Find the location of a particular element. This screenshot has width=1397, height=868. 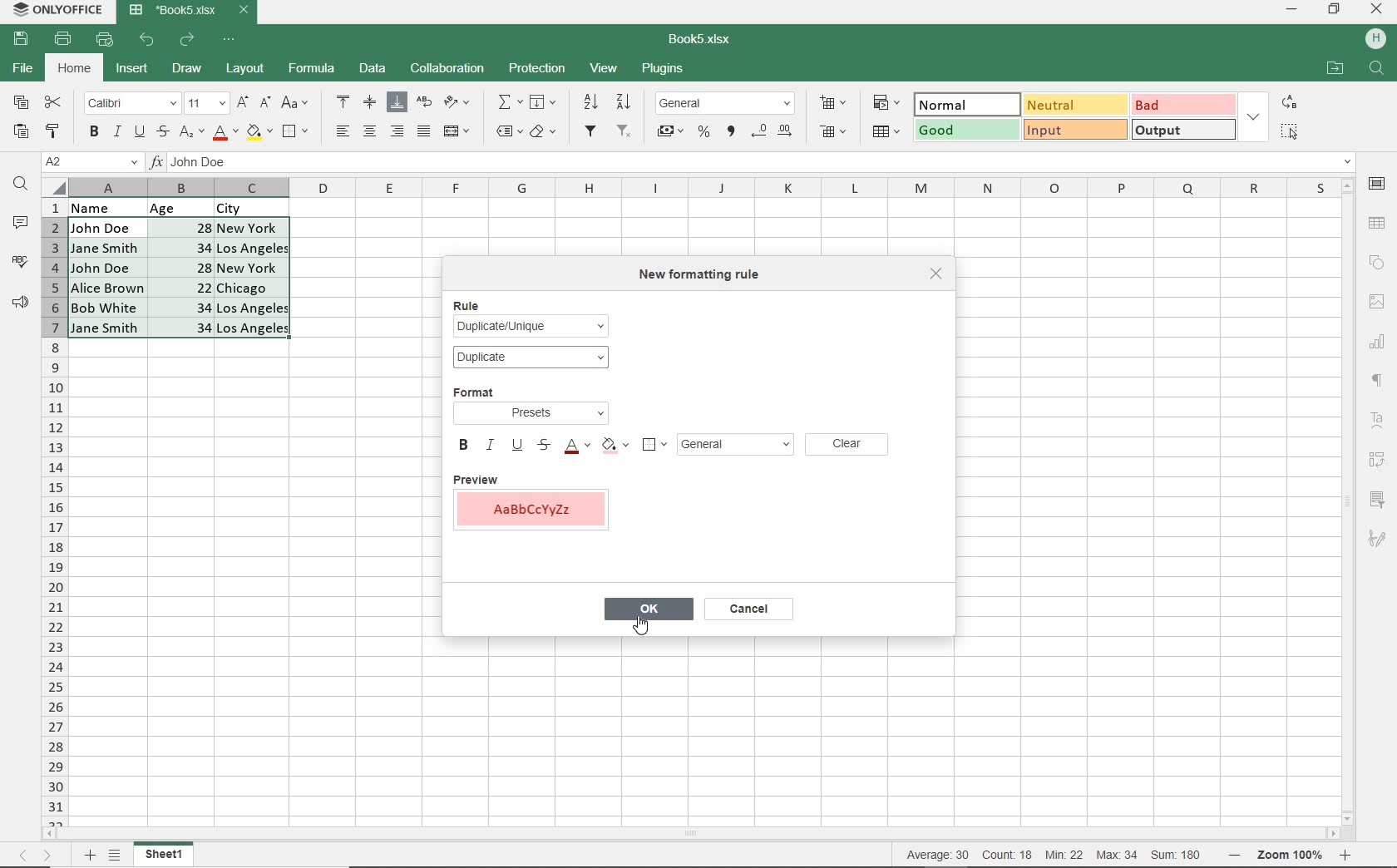

COLUMNS is located at coordinates (701, 187).